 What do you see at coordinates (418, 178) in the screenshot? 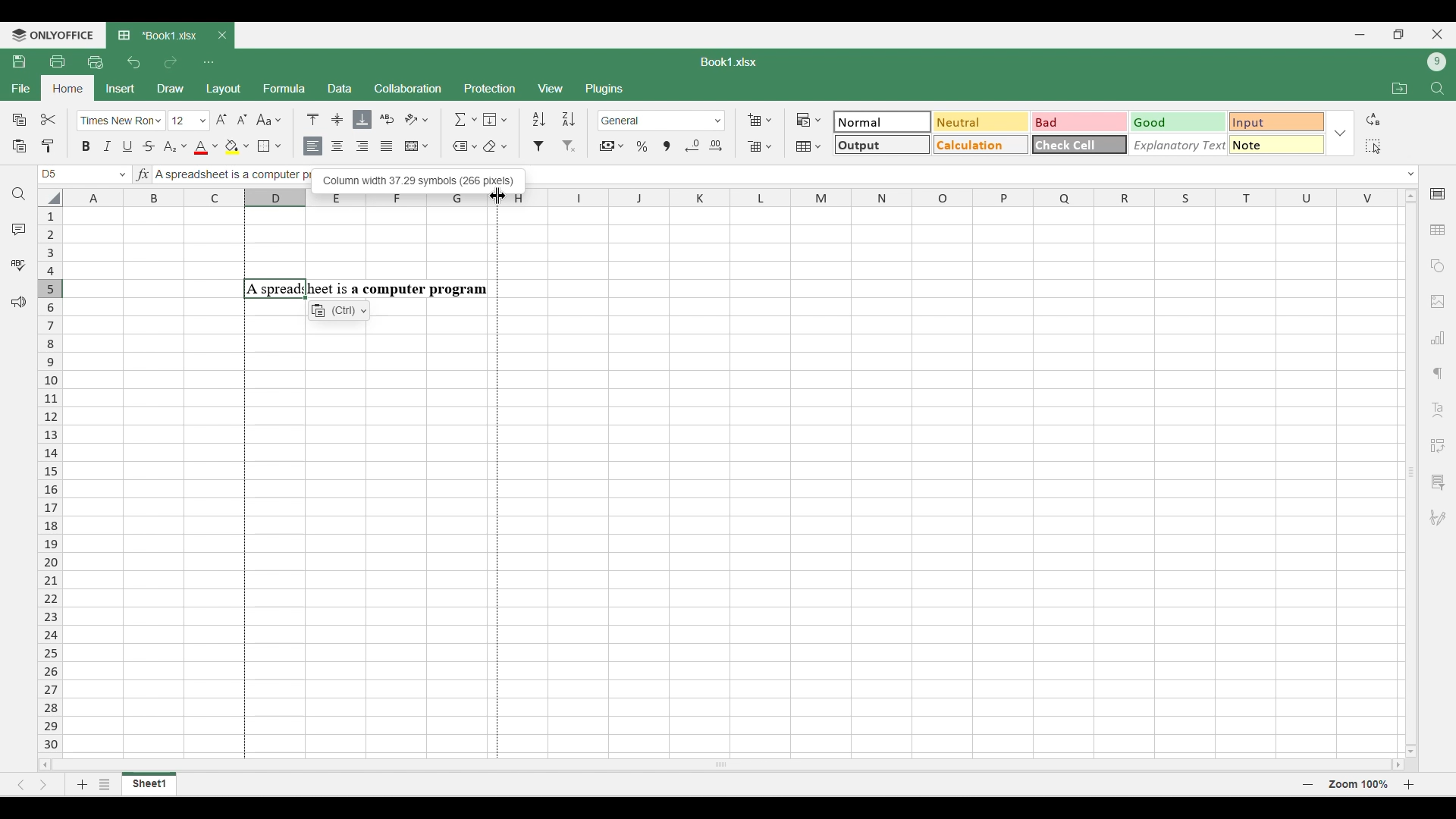
I see `Column width 37.29 symbols (266 pixels)` at bounding box center [418, 178].